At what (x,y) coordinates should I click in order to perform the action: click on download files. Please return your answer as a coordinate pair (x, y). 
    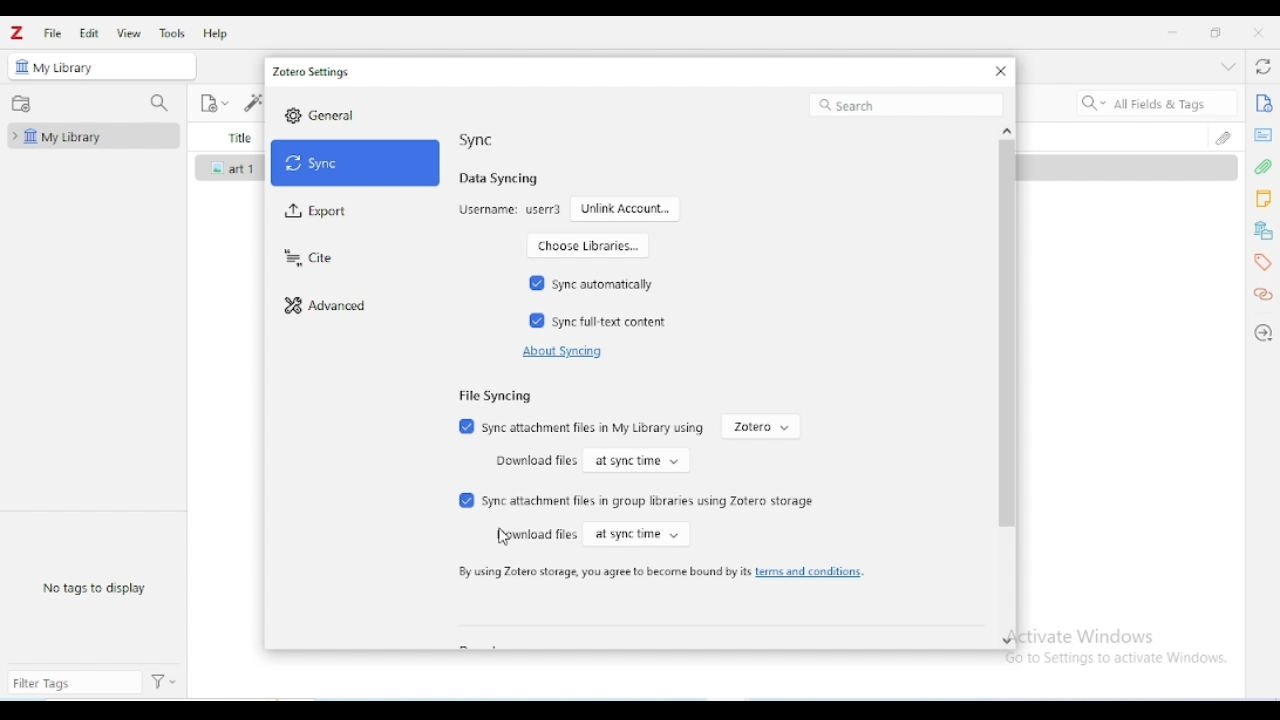
    Looking at the image, I should click on (533, 460).